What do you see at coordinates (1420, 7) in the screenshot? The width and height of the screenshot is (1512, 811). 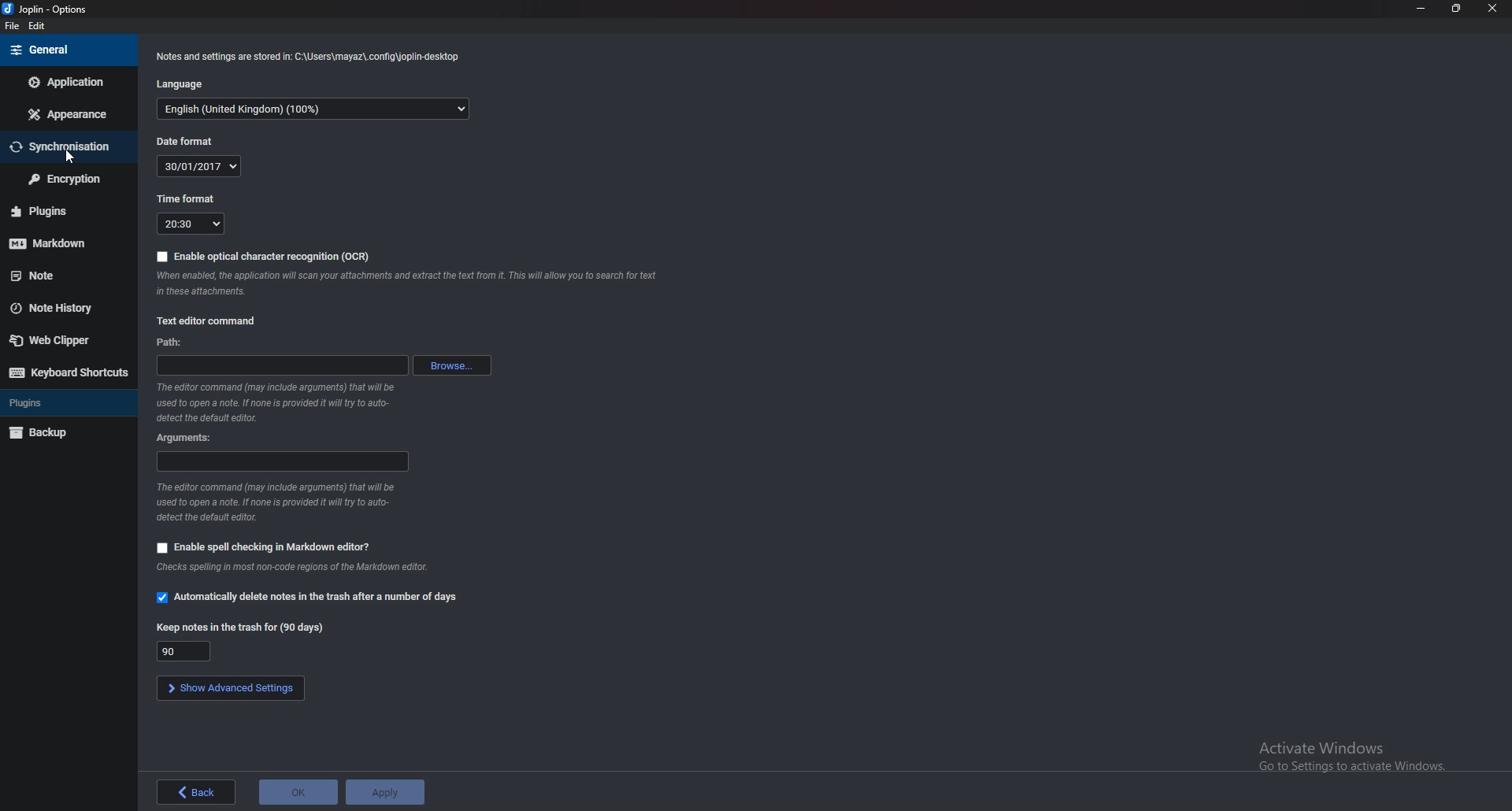 I see `minimize` at bounding box center [1420, 7].